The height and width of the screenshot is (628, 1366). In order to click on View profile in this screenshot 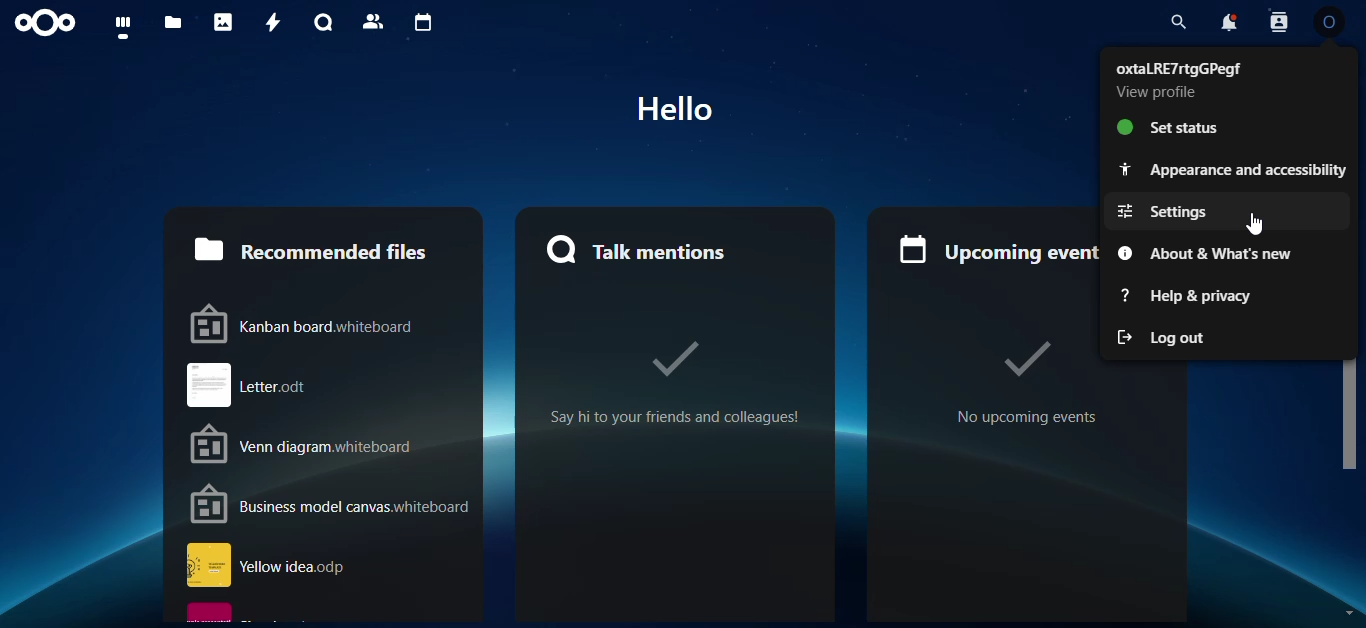, I will do `click(1155, 92)`.